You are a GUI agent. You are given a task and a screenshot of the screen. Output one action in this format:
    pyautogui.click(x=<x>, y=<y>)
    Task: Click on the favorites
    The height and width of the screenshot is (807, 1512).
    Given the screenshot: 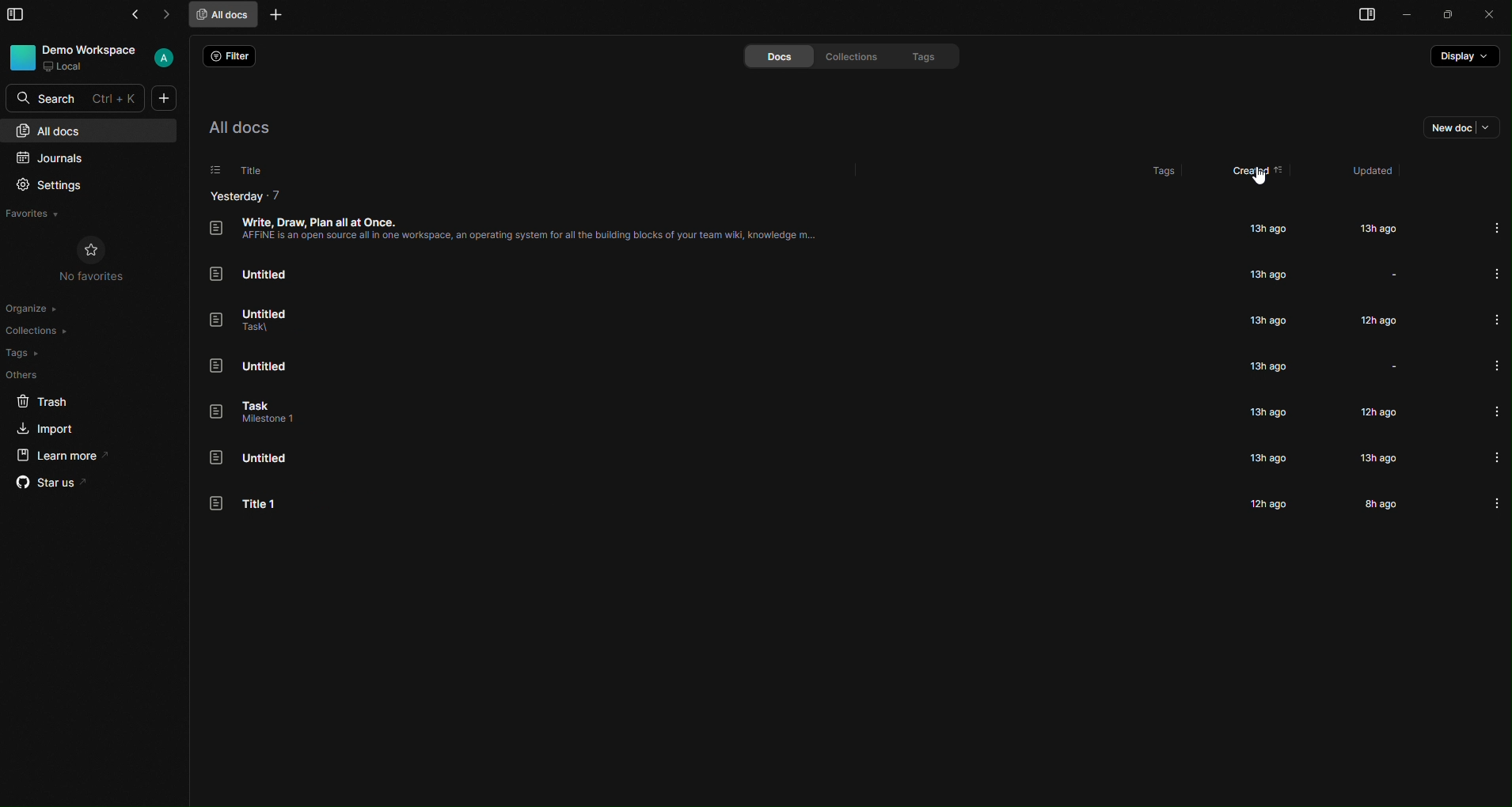 What is the action you would take?
    pyautogui.click(x=32, y=214)
    